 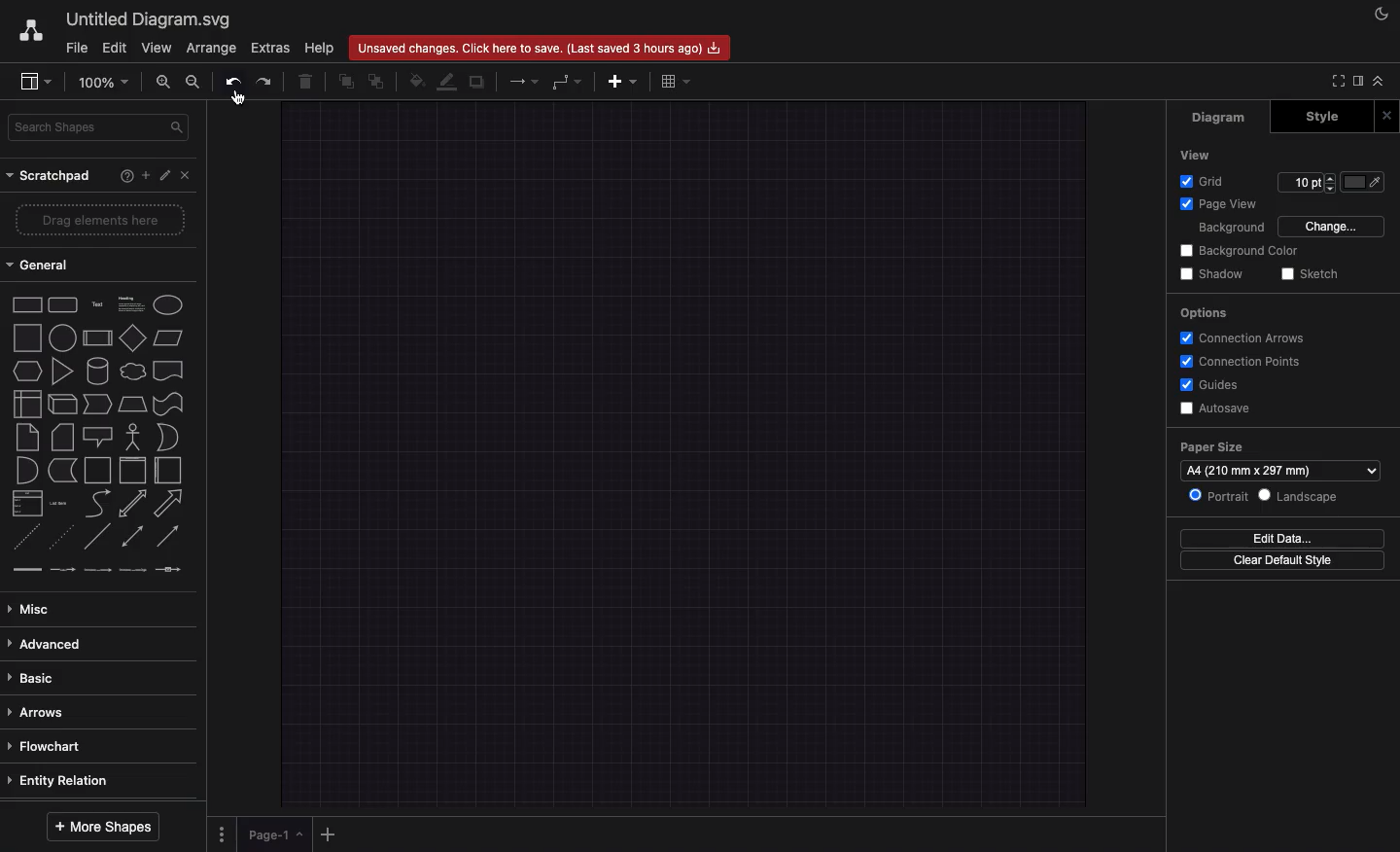 What do you see at coordinates (1282, 538) in the screenshot?
I see `Edit data` at bounding box center [1282, 538].